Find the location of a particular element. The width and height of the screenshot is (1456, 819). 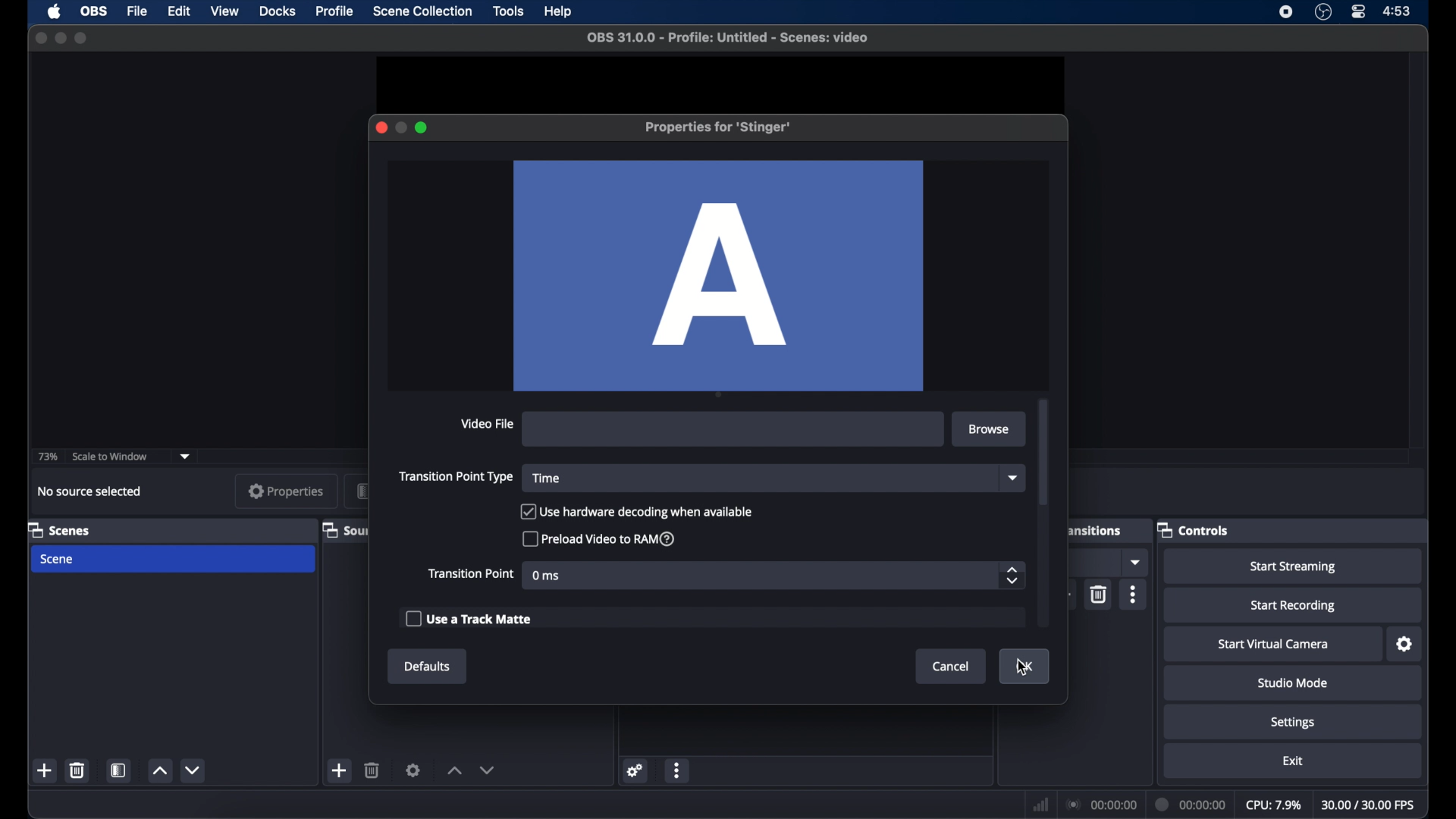

profile is located at coordinates (333, 11).